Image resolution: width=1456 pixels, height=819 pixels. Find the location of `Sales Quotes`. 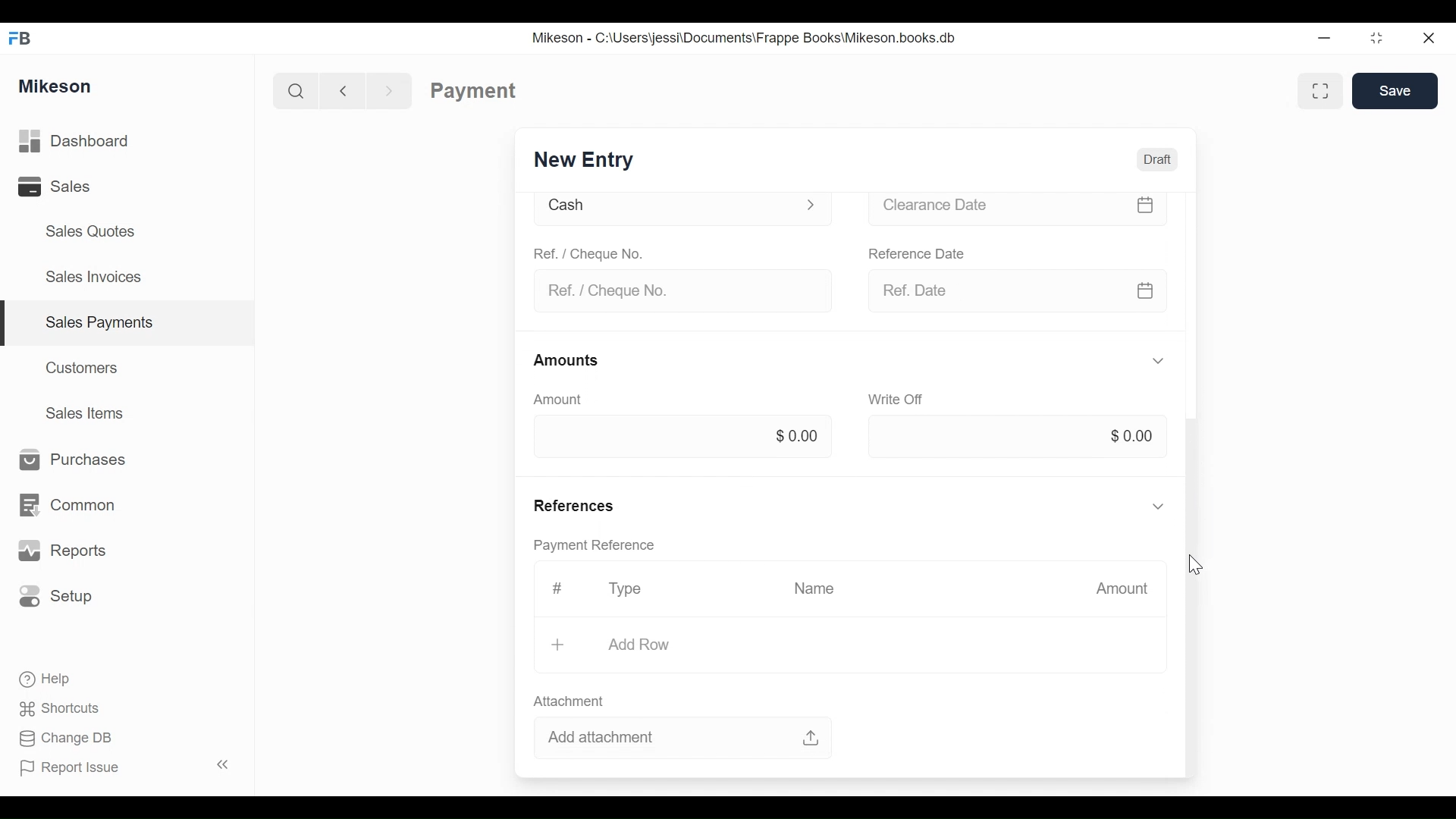

Sales Quotes is located at coordinates (83, 231).